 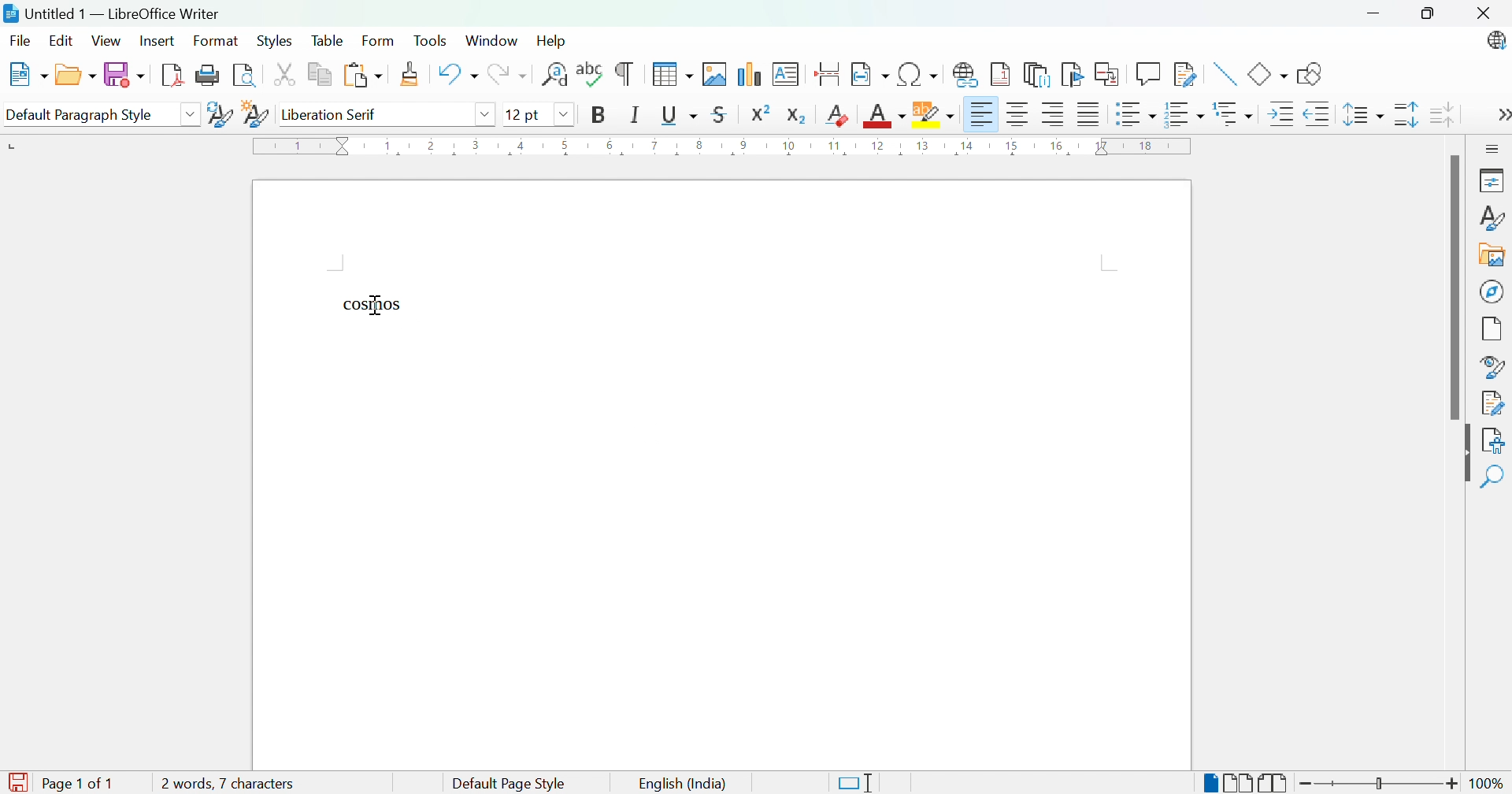 I want to click on Find, so click(x=1495, y=477).